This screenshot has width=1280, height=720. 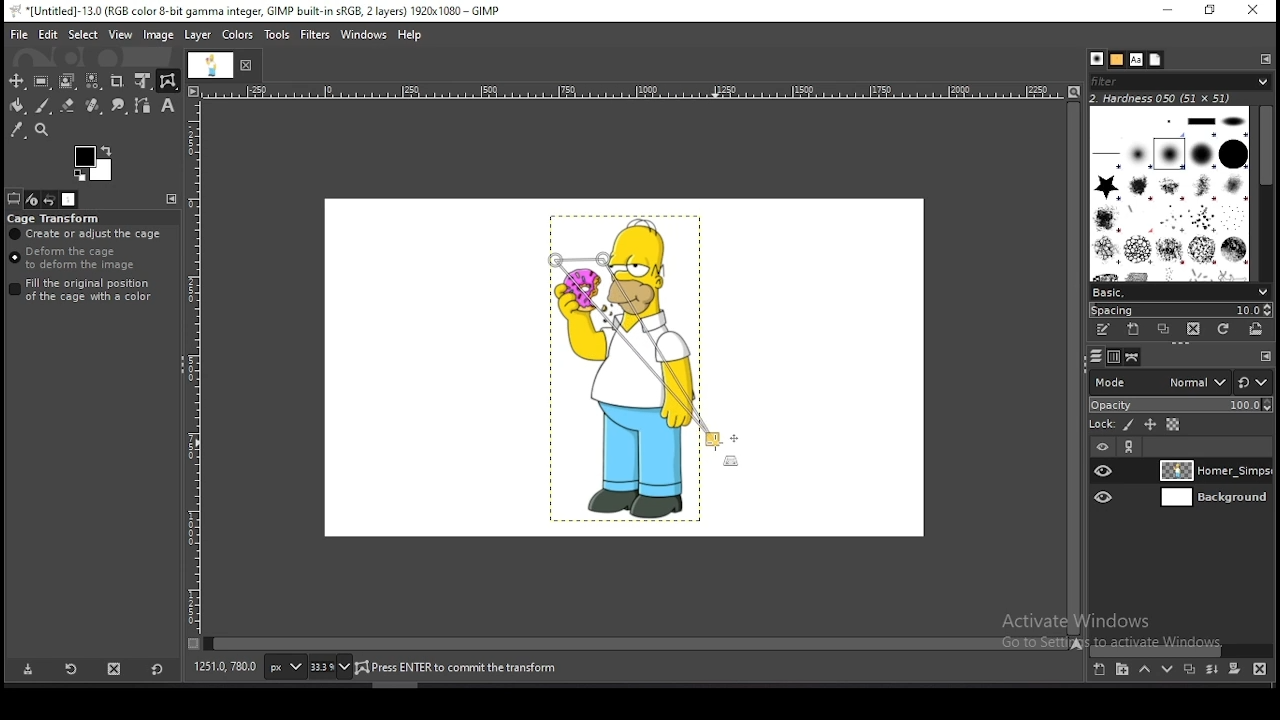 I want to click on close window, so click(x=1252, y=12).